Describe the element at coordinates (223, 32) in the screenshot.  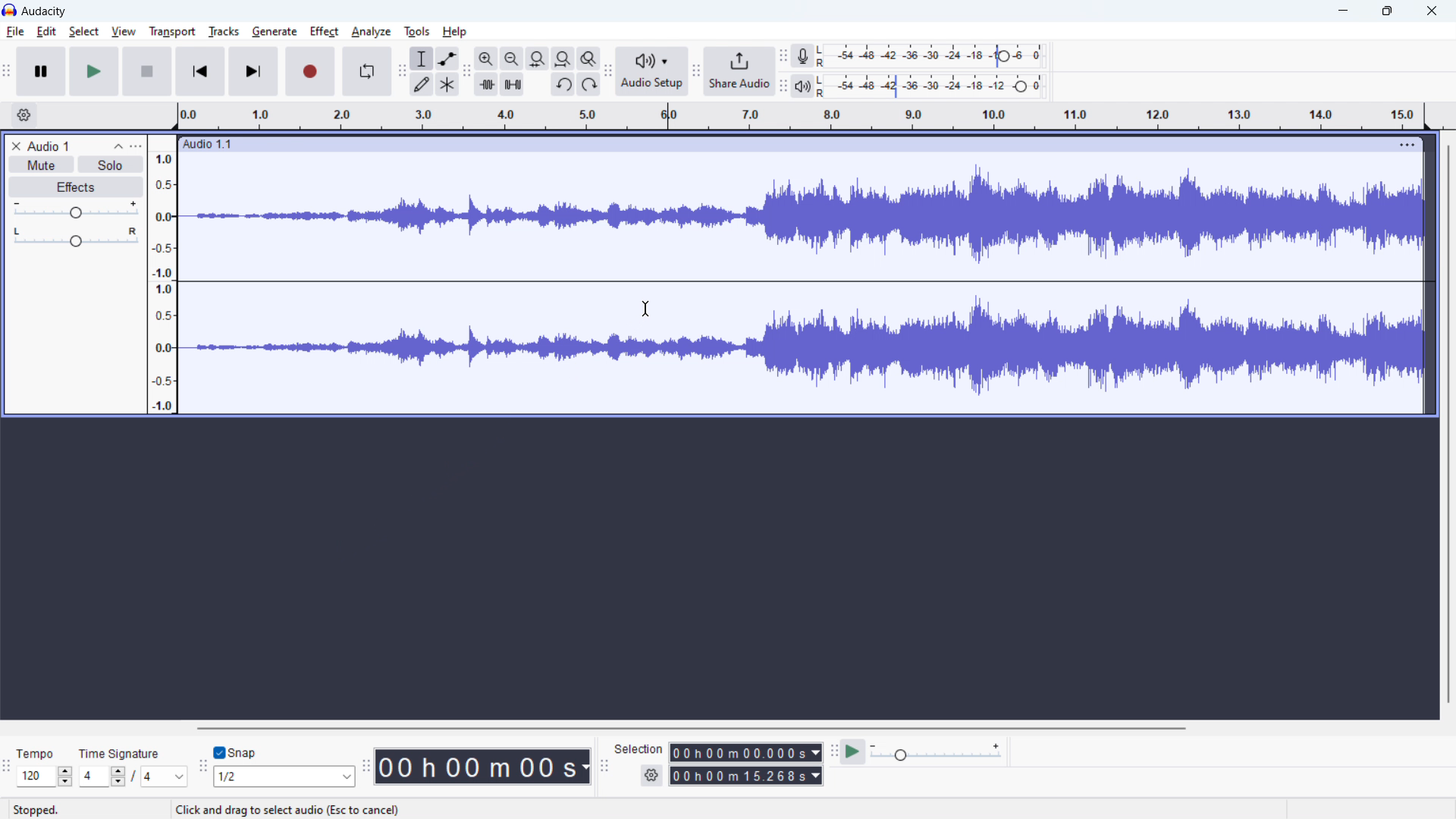
I see `tracks` at that location.